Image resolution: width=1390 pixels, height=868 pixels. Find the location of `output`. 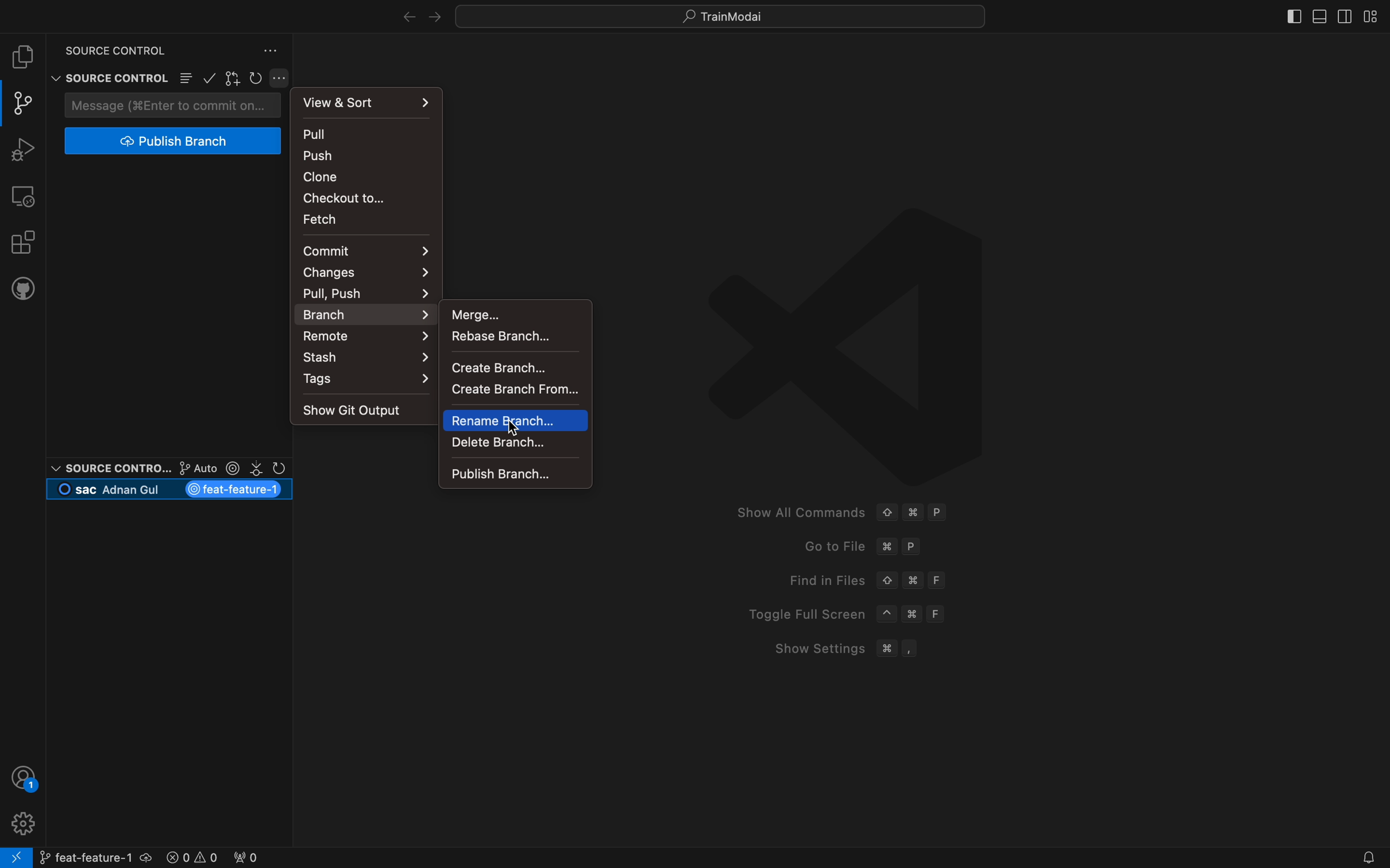

output is located at coordinates (364, 410).